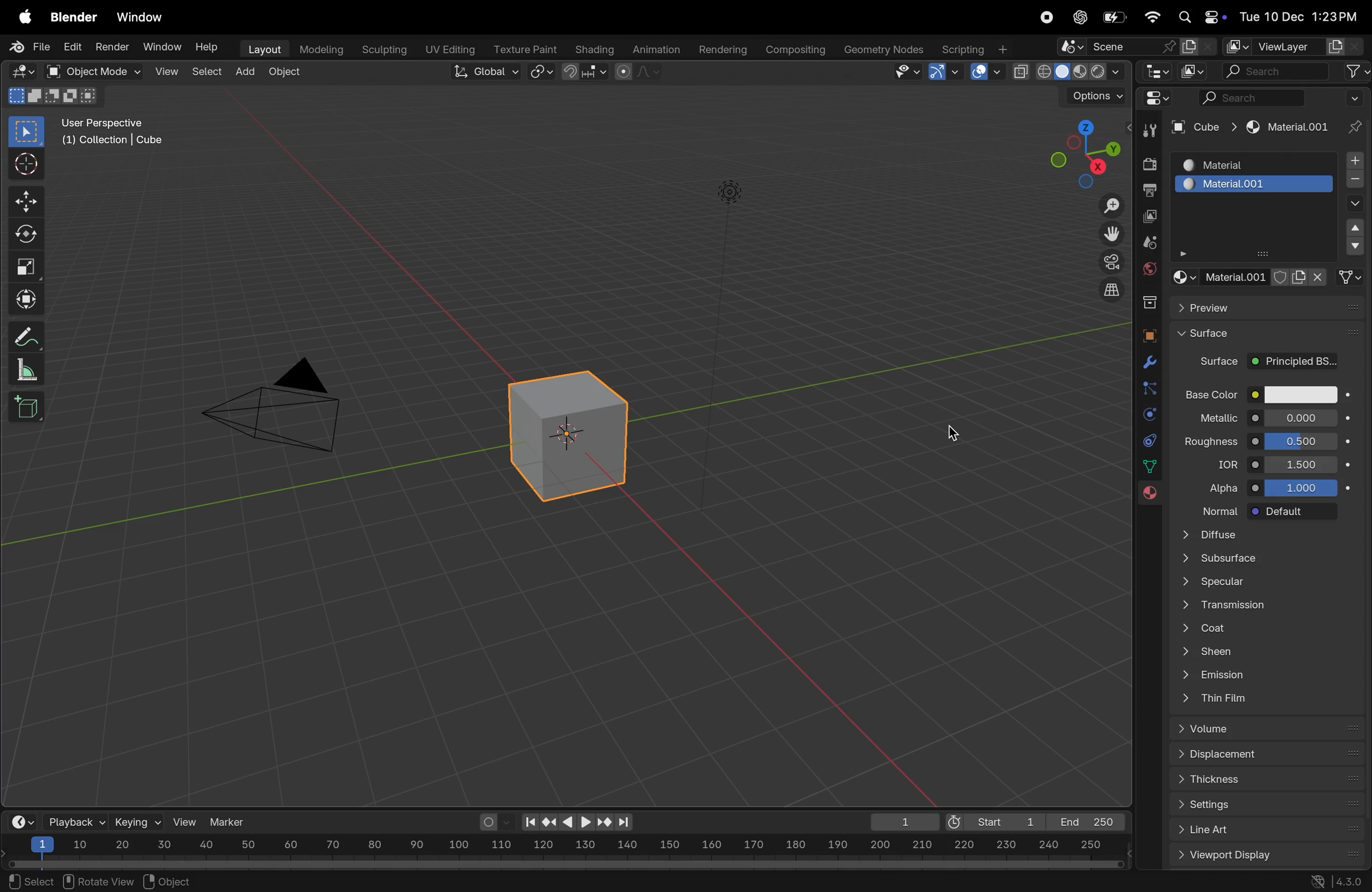 This screenshot has width=1372, height=892. Describe the element at coordinates (1352, 114) in the screenshot. I see `pin` at that location.